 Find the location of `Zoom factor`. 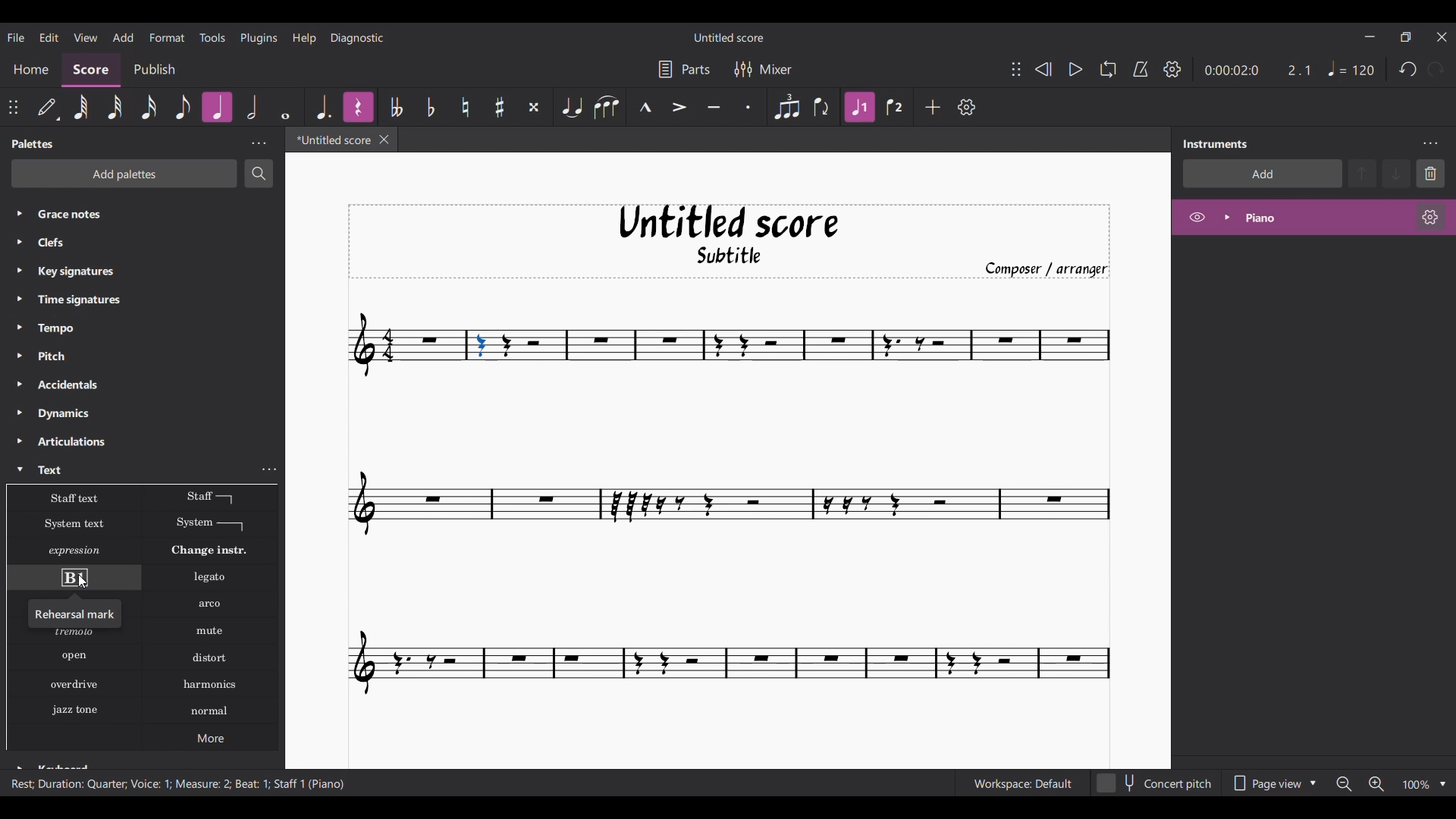

Zoom factor is located at coordinates (1417, 784).